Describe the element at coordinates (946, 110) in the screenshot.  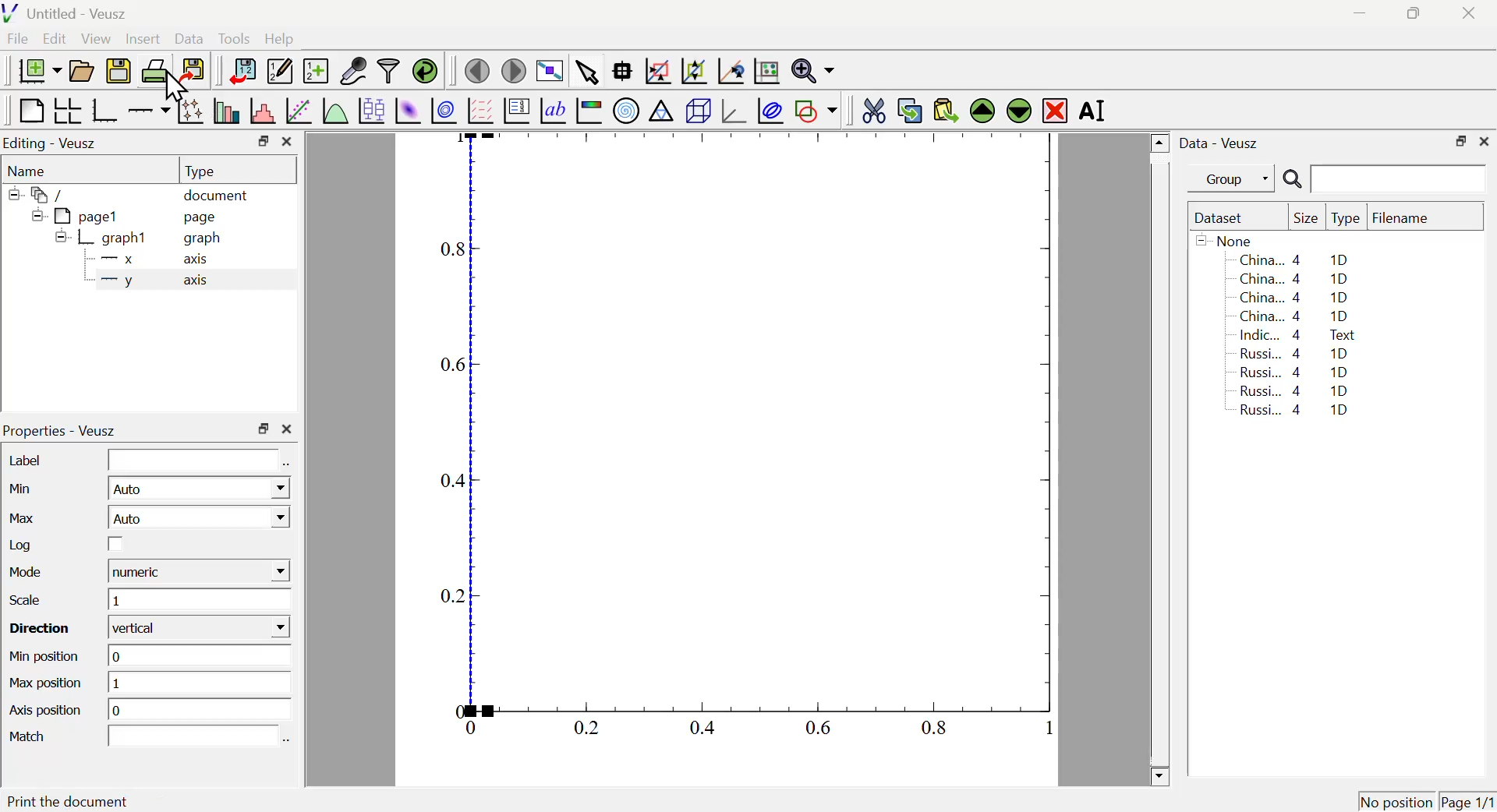
I see `Paste from Clipboard` at that location.